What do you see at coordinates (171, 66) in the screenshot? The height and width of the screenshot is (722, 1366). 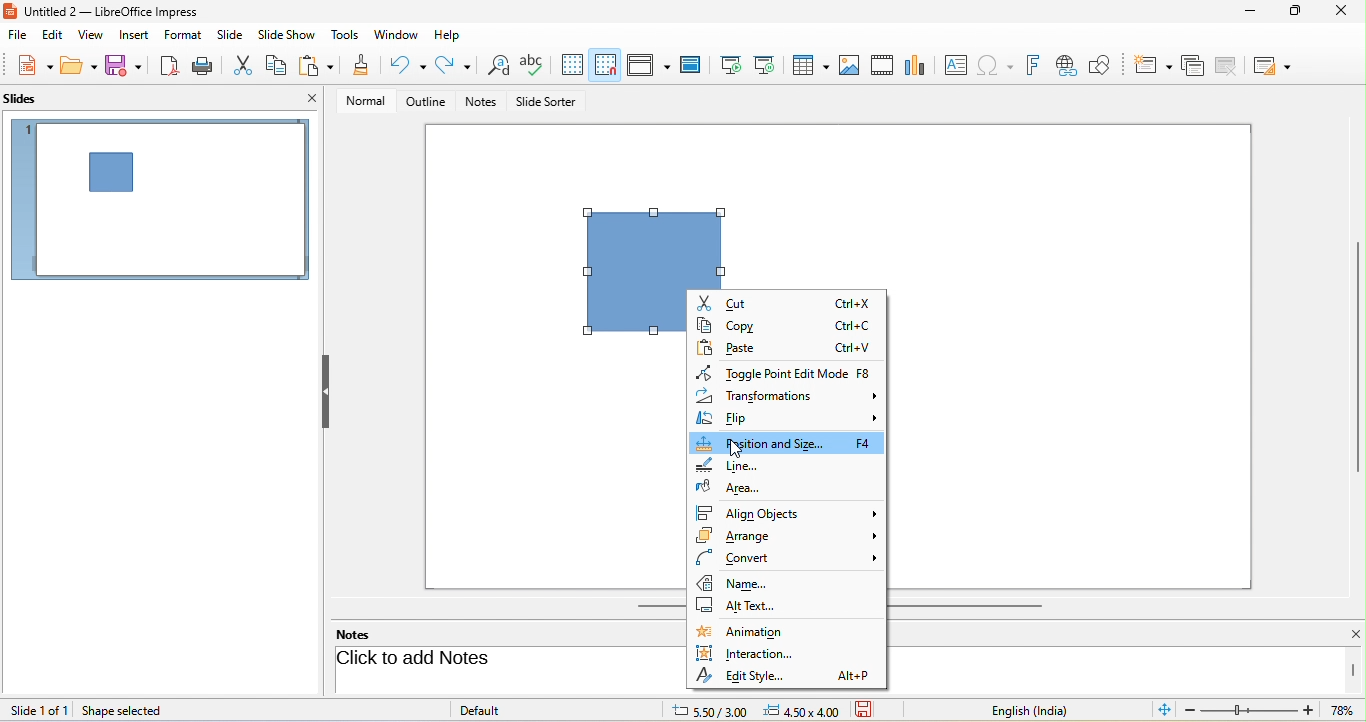 I see `export directly as pdf` at bounding box center [171, 66].